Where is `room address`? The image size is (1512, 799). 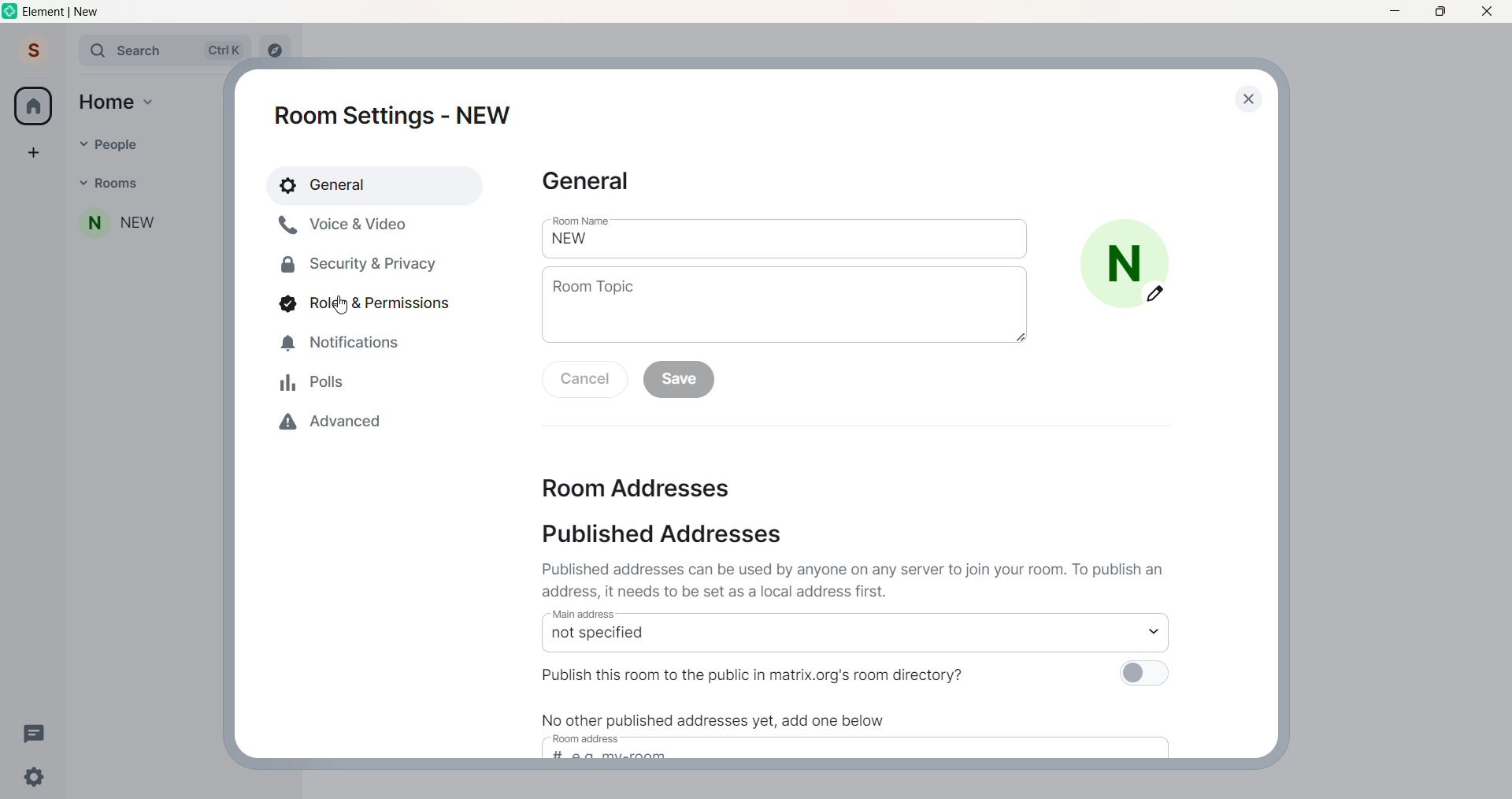 room address is located at coordinates (649, 489).